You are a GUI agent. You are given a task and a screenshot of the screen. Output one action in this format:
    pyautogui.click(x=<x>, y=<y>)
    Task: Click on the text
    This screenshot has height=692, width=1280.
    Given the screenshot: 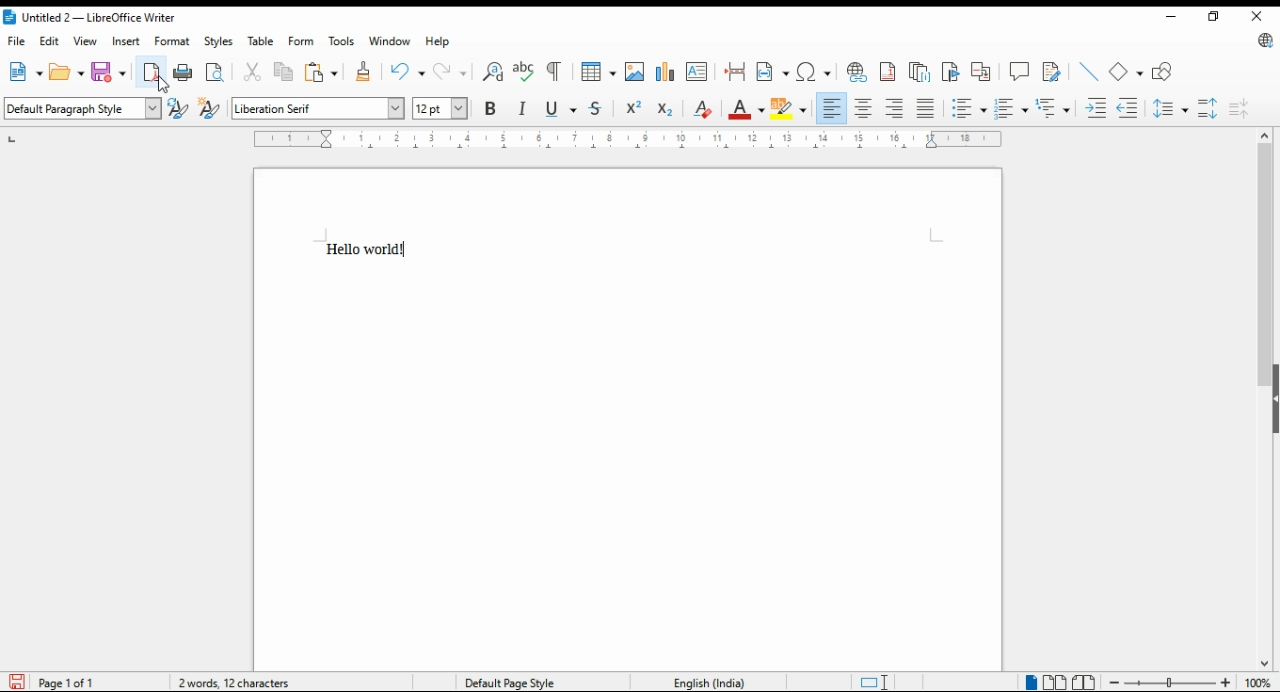 What is the action you would take?
    pyautogui.click(x=372, y=243)
    